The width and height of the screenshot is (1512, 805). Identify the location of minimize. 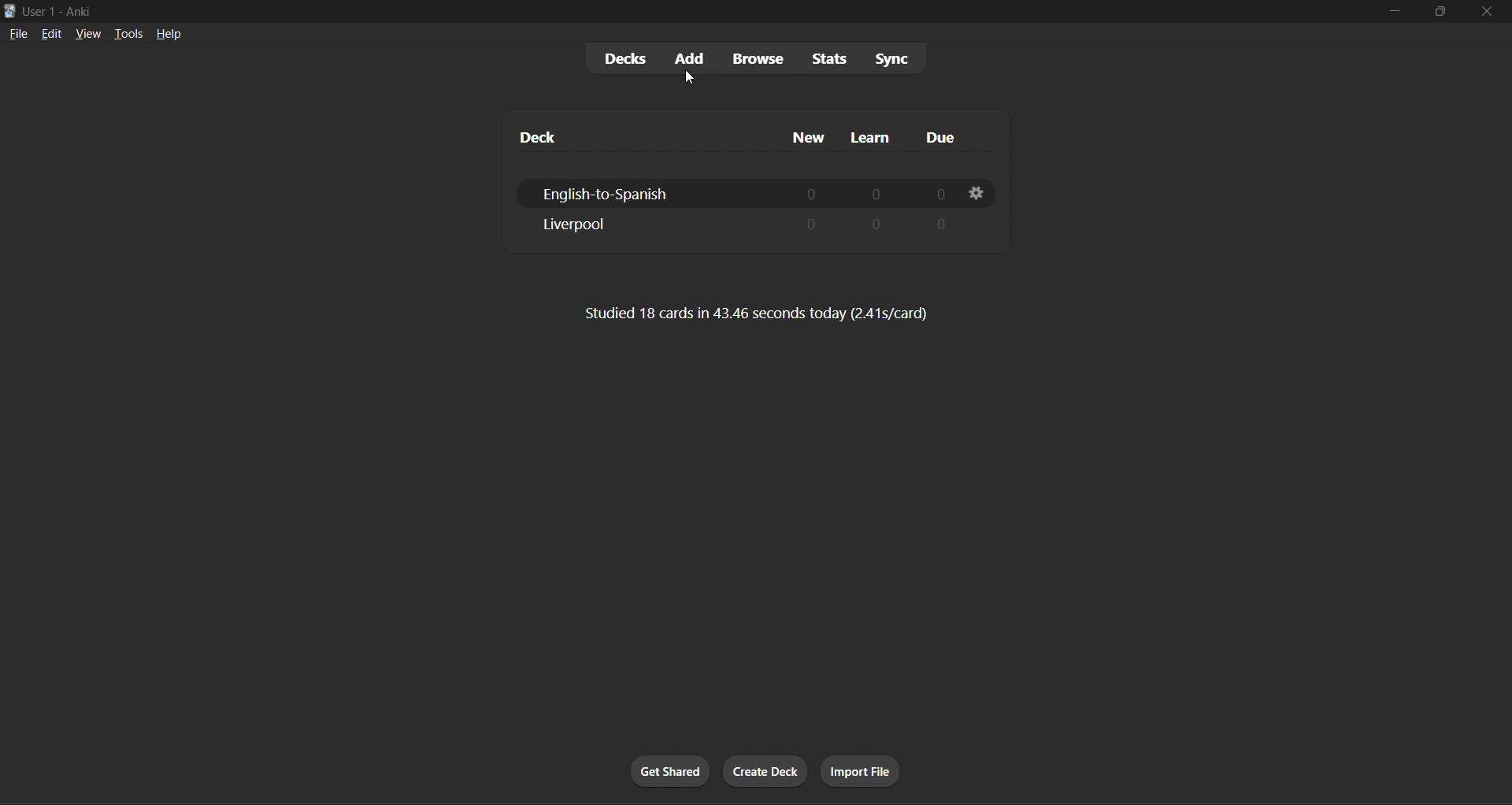
(1392, 14).